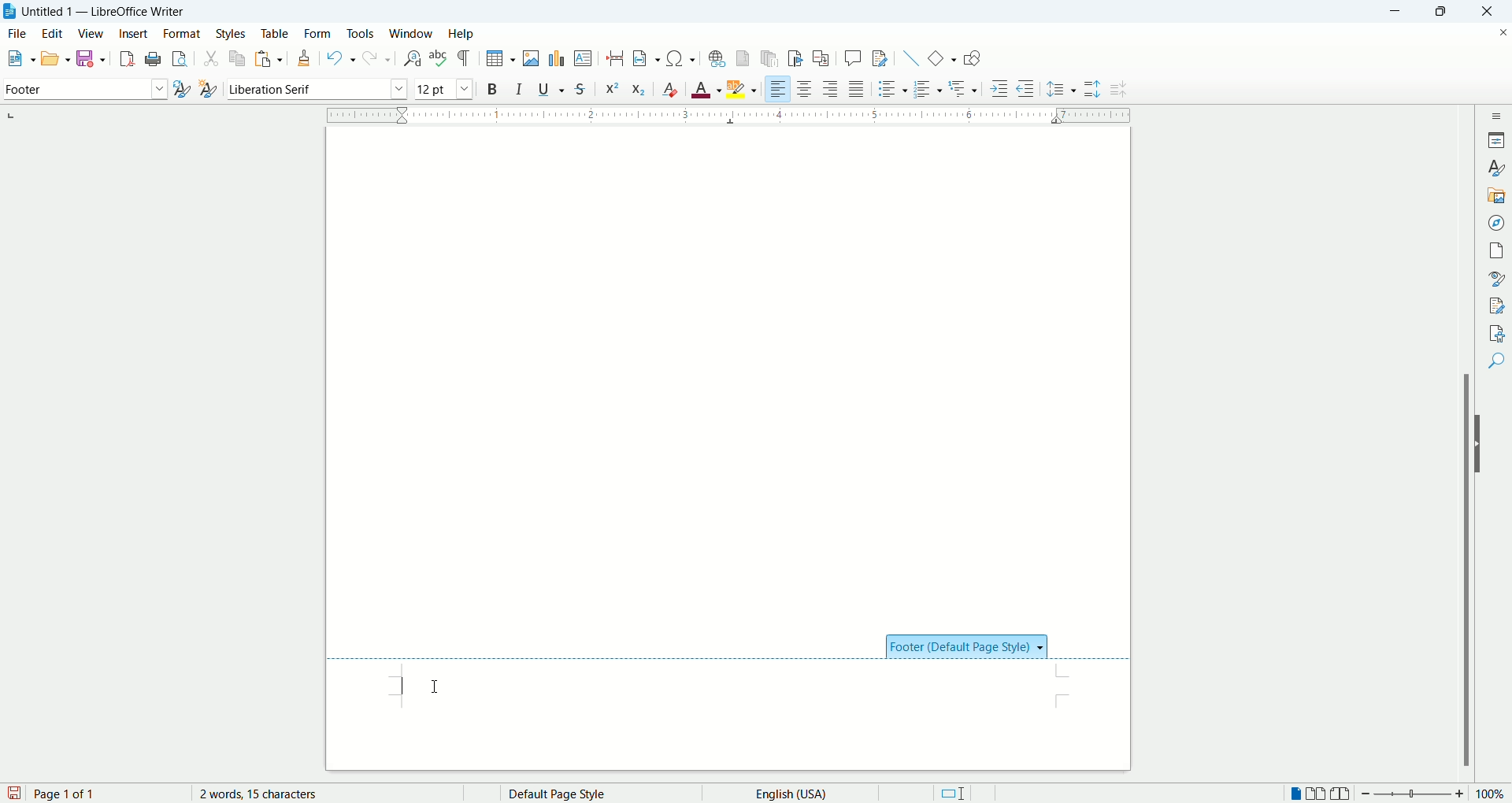 The width and height of the screenshot is (1512, 803). I want to click on sidebar settings, so click(1499, 113).